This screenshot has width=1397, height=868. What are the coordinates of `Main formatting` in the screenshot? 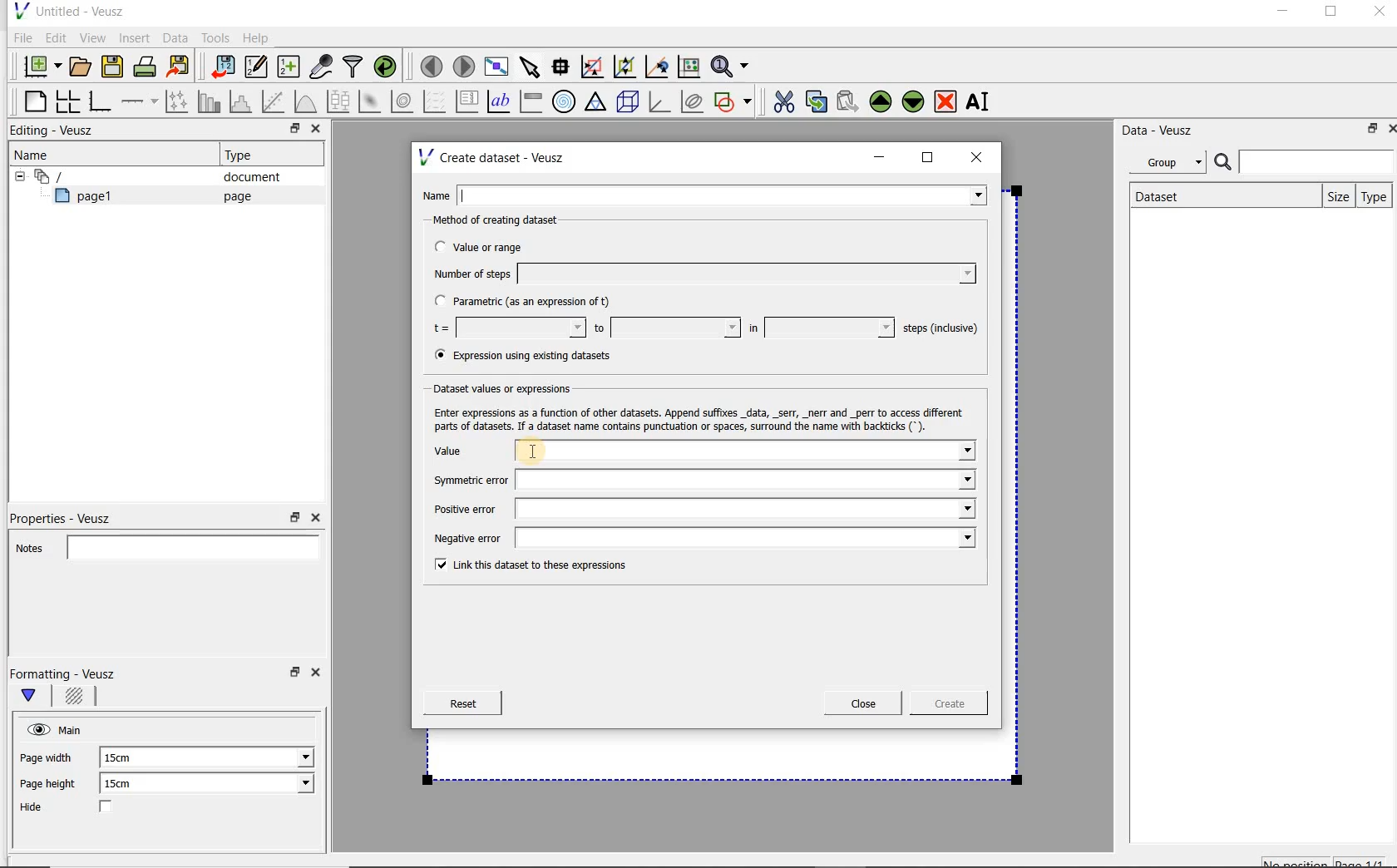 It's located at (36, 697).